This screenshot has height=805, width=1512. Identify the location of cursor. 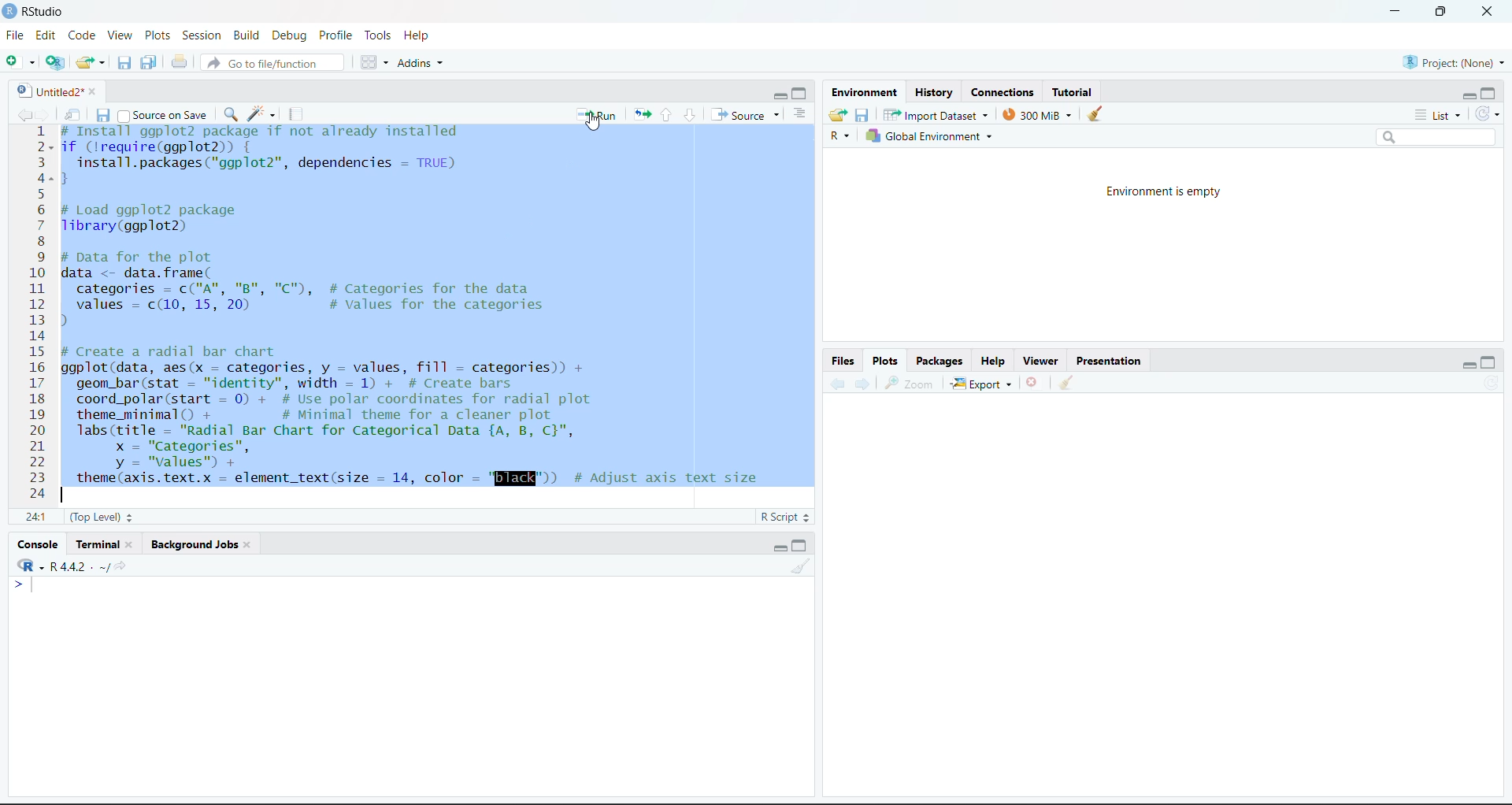
(595, 124).